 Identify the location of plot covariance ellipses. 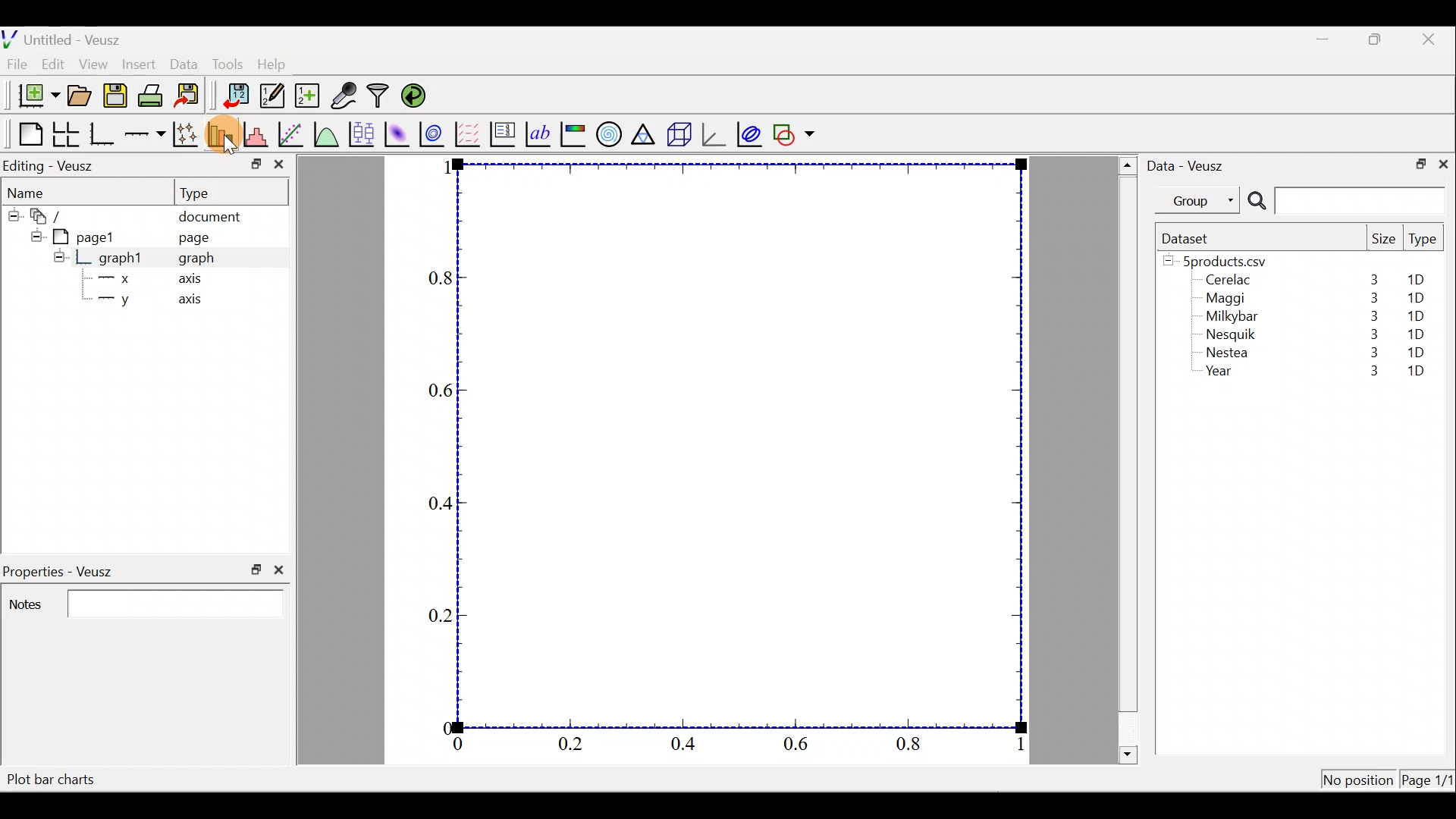
(751, 133).